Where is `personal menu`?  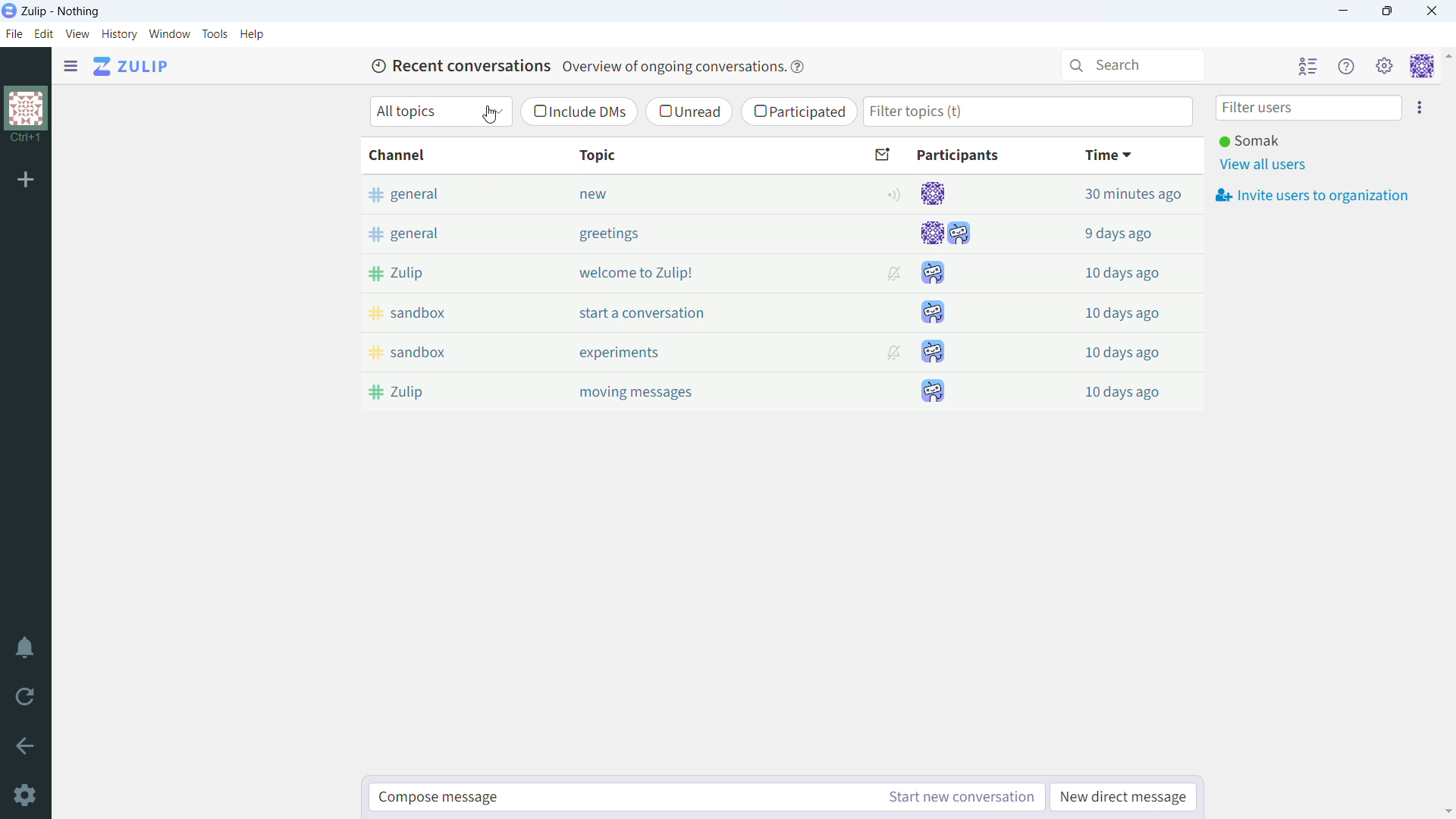
personal menu is located at coordinates (1423, 65).